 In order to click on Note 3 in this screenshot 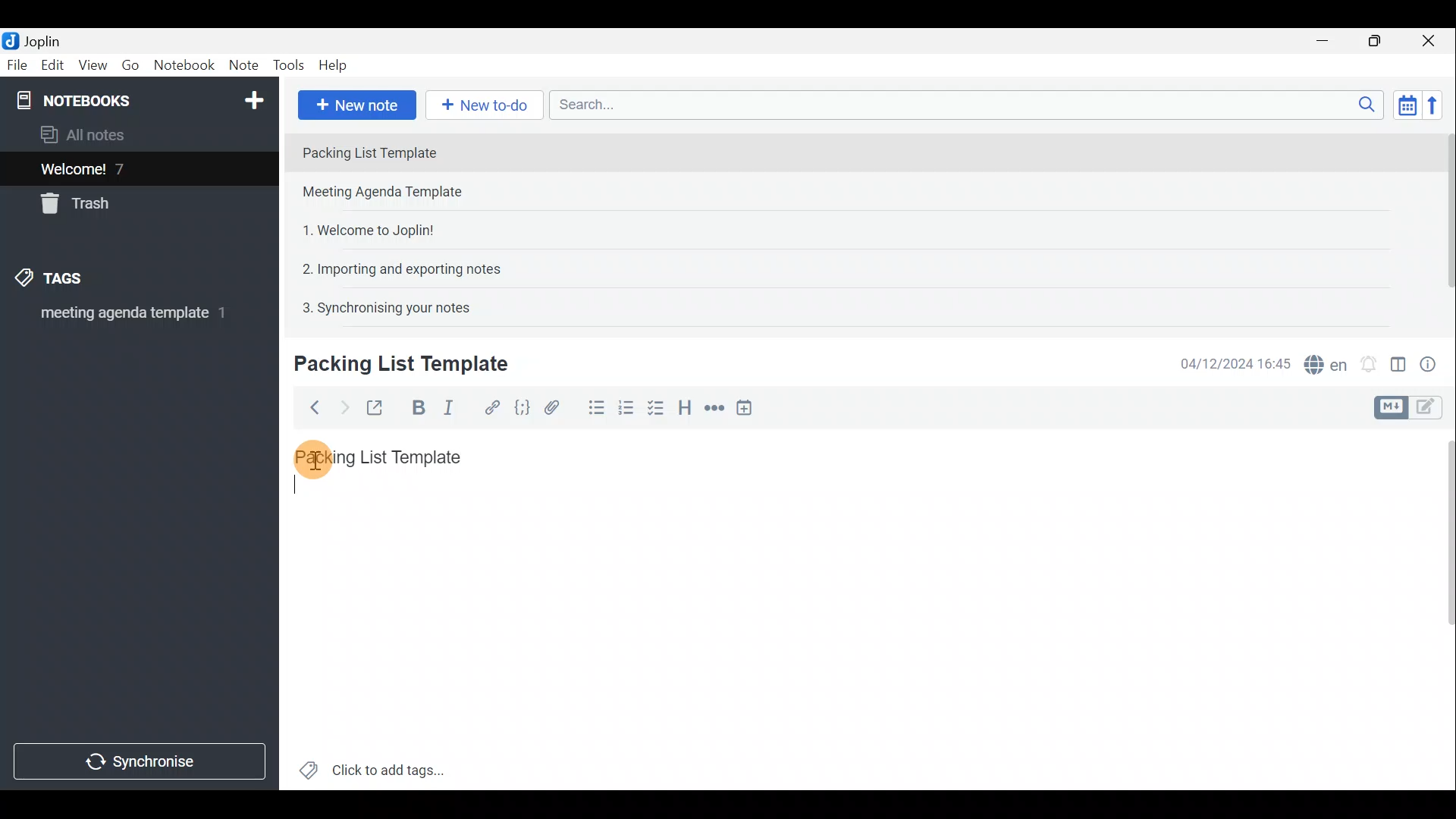, I will do `click(362, 228)`.